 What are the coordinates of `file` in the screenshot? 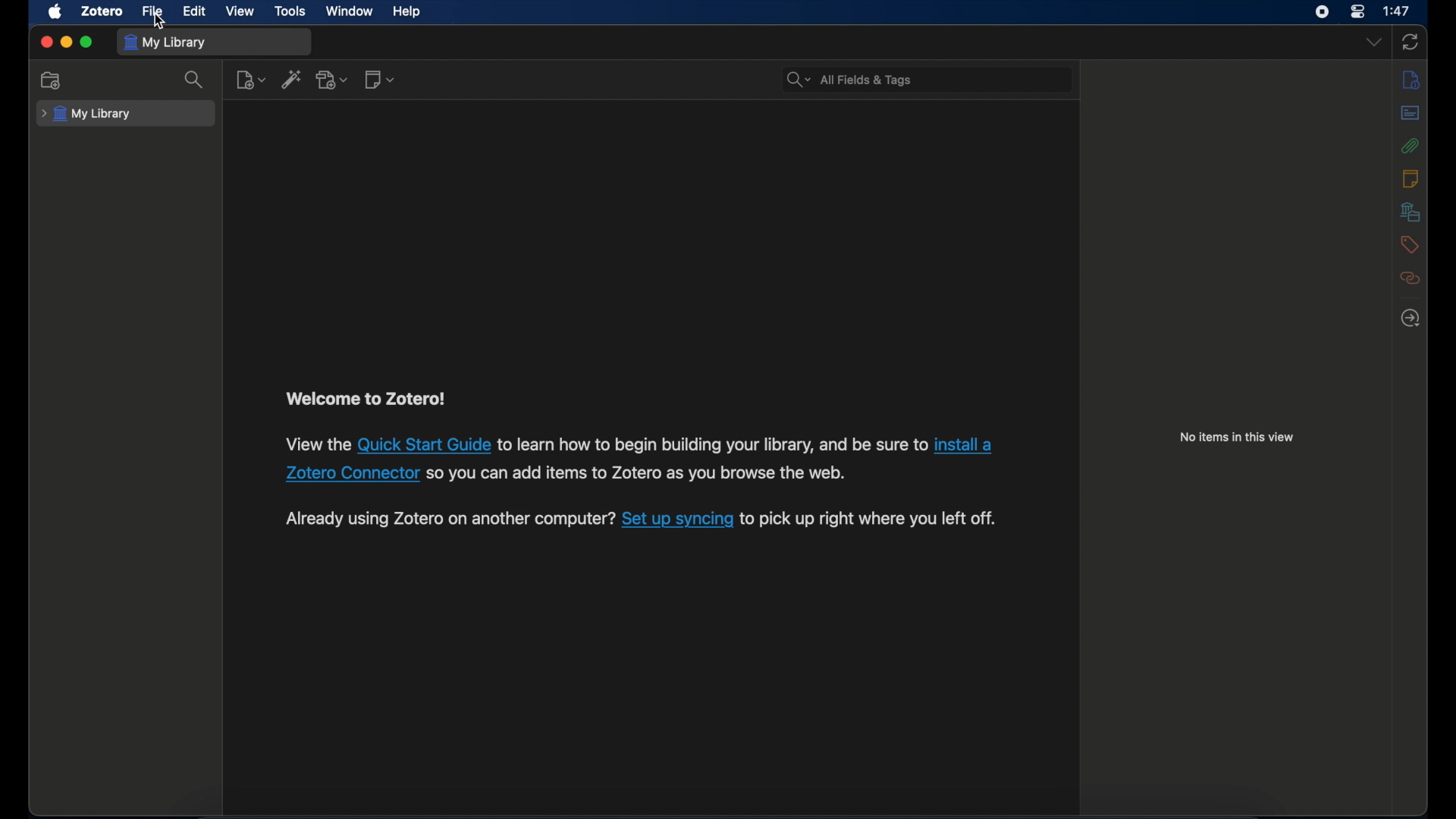 It's located at (154, 11).